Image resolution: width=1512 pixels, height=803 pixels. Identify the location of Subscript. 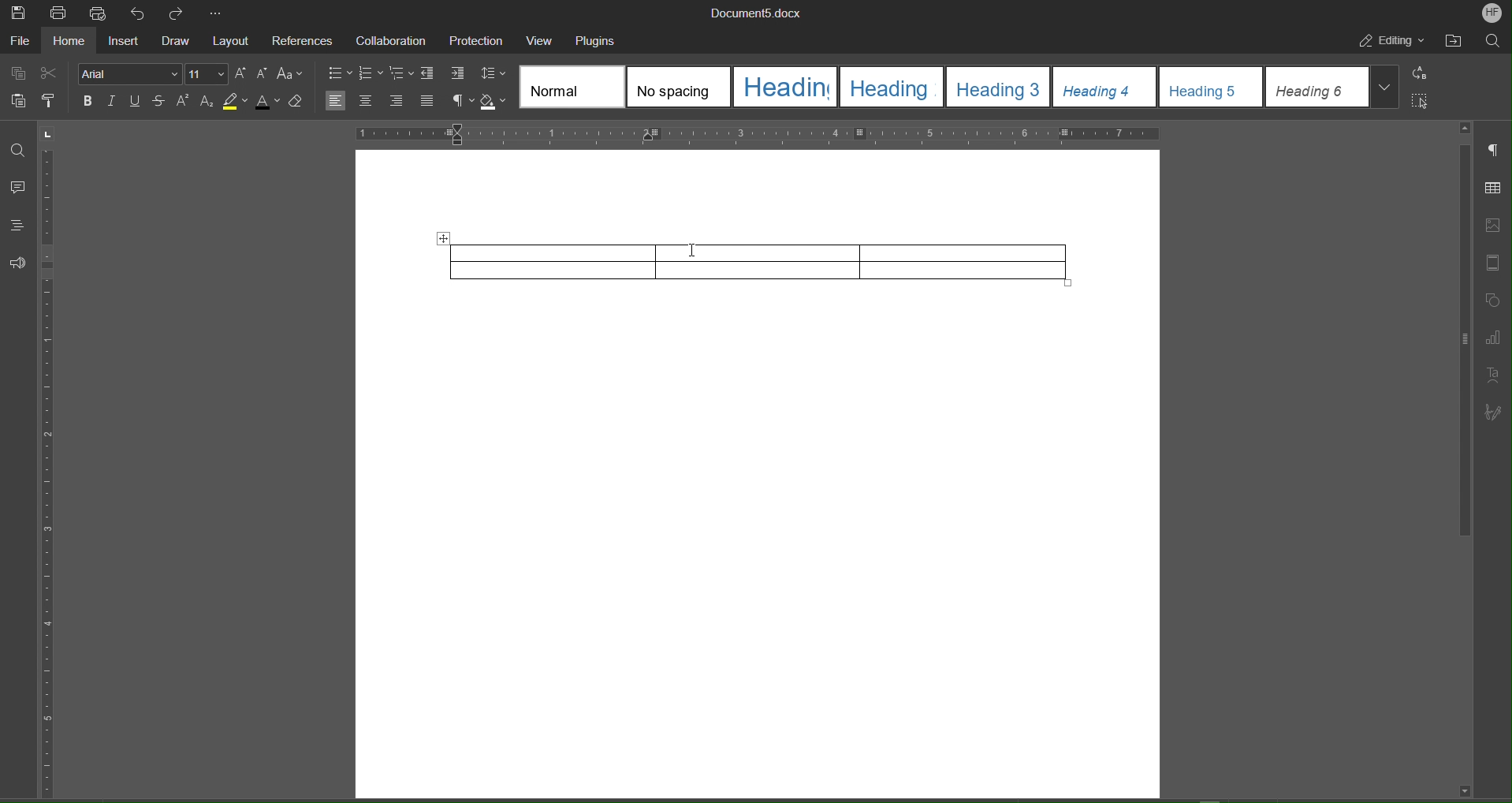
(208, 102).